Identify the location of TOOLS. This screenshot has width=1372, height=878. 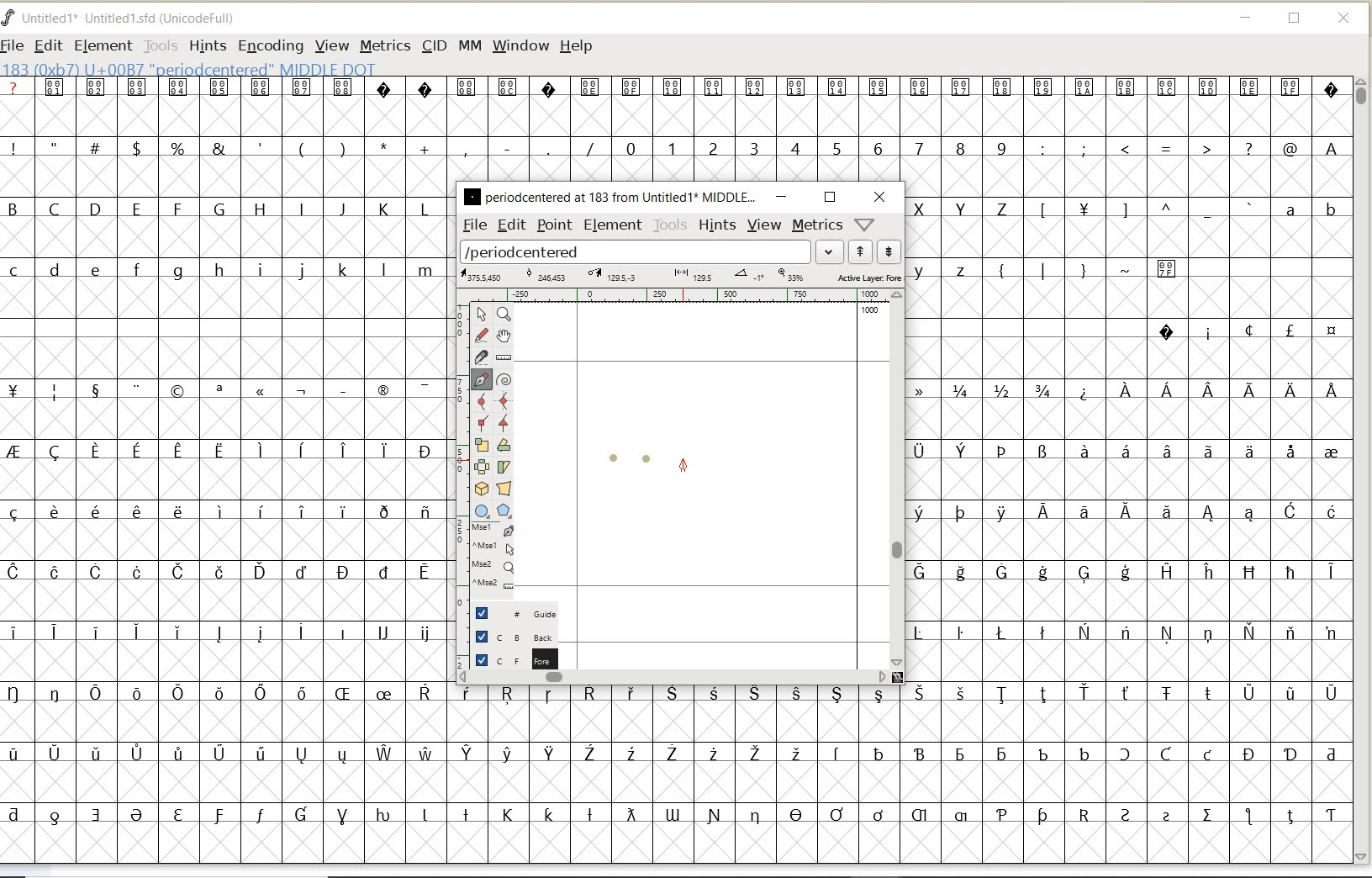
(161, 45).